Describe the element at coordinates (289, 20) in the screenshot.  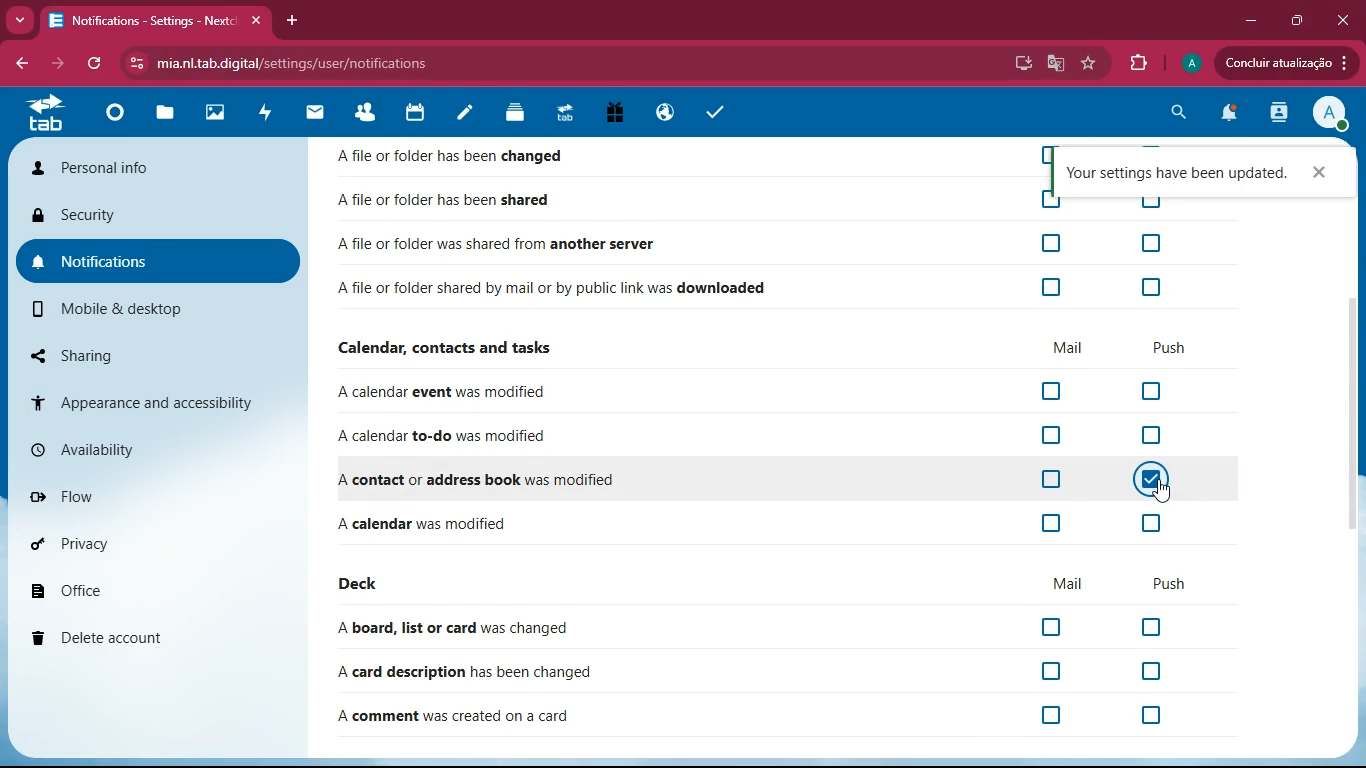
I see `add tab` at that location.